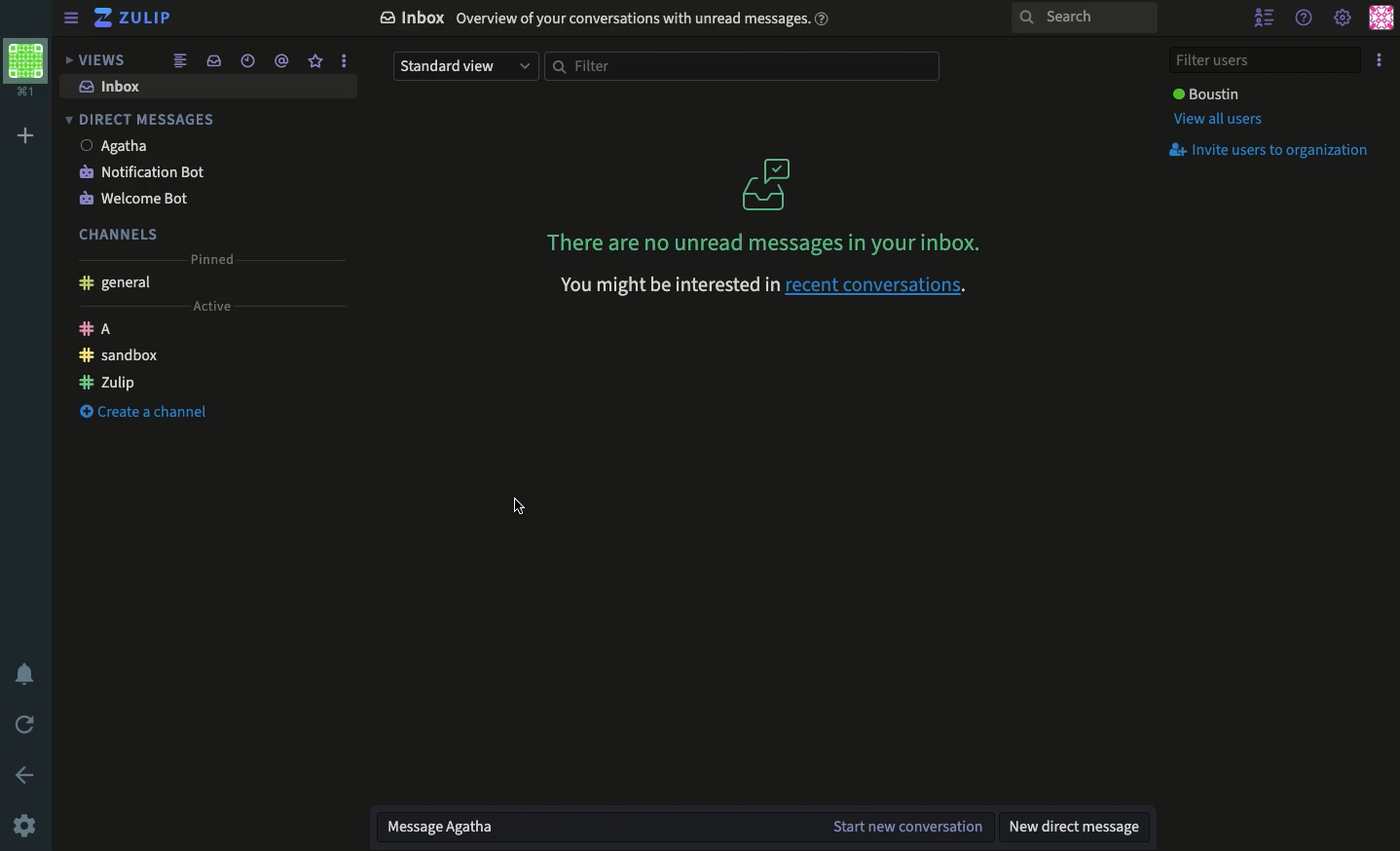  What do you see at coordinates (316, 62) in the screenshot?
I see `Favorite` at bounding box center [316, 62].